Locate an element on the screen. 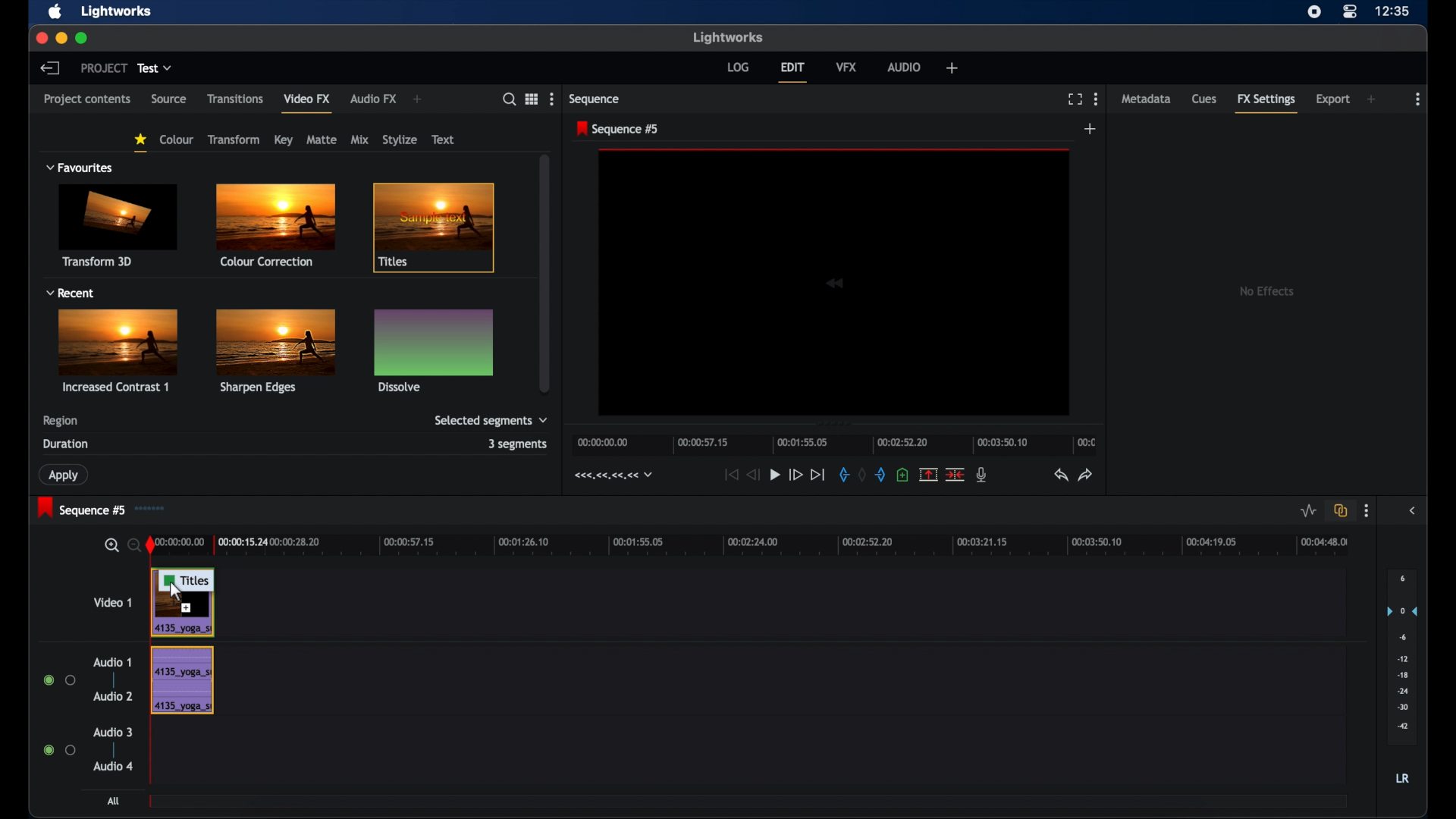 This screenshot has width=1456, height=819. sharpen edges is located at coordinates (273, 350).